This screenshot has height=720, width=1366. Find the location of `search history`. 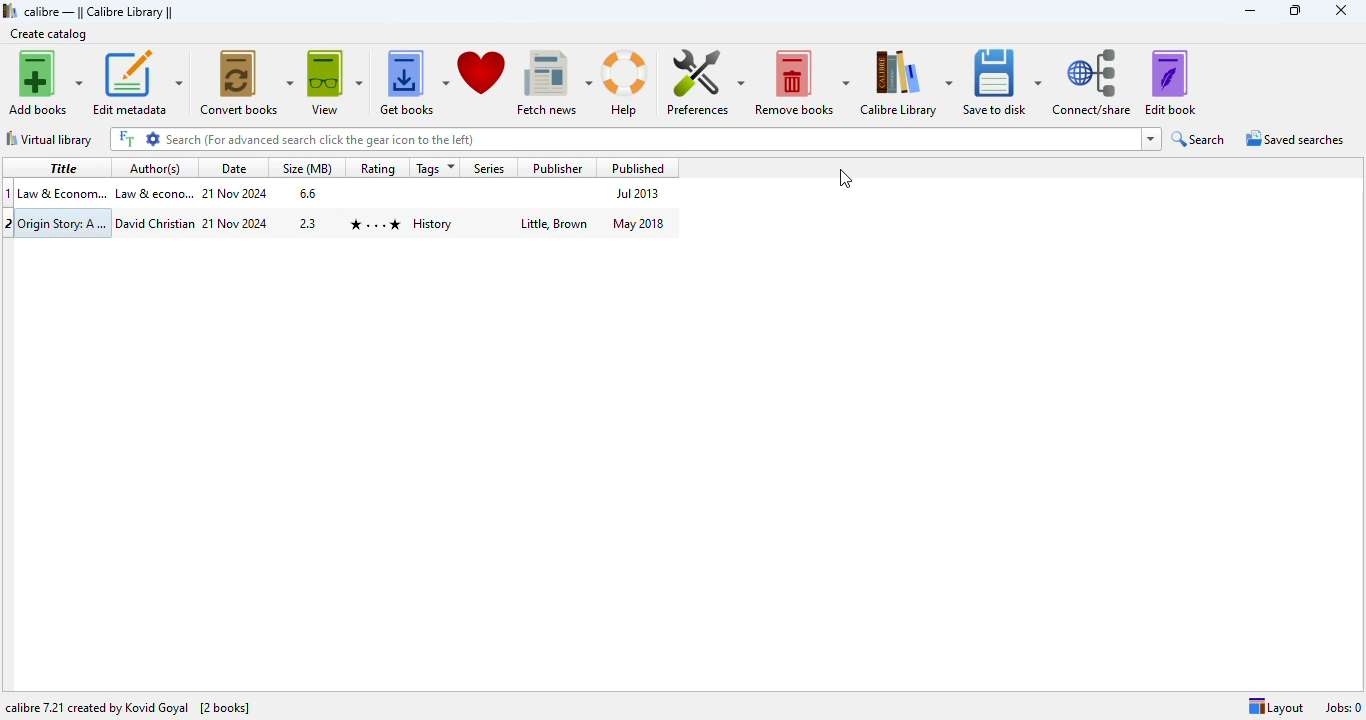

search history is located at coordinates (1151, 138).